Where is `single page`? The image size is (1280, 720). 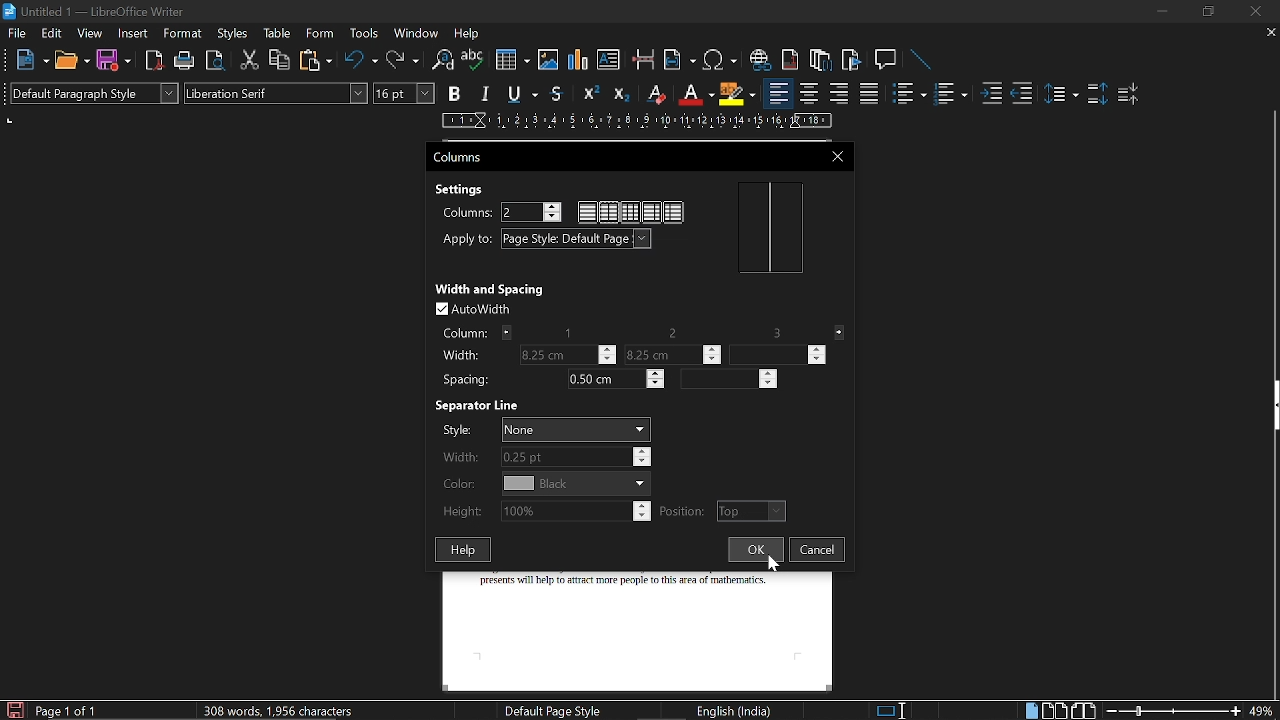
single page is located at coordinates (1032, 708).